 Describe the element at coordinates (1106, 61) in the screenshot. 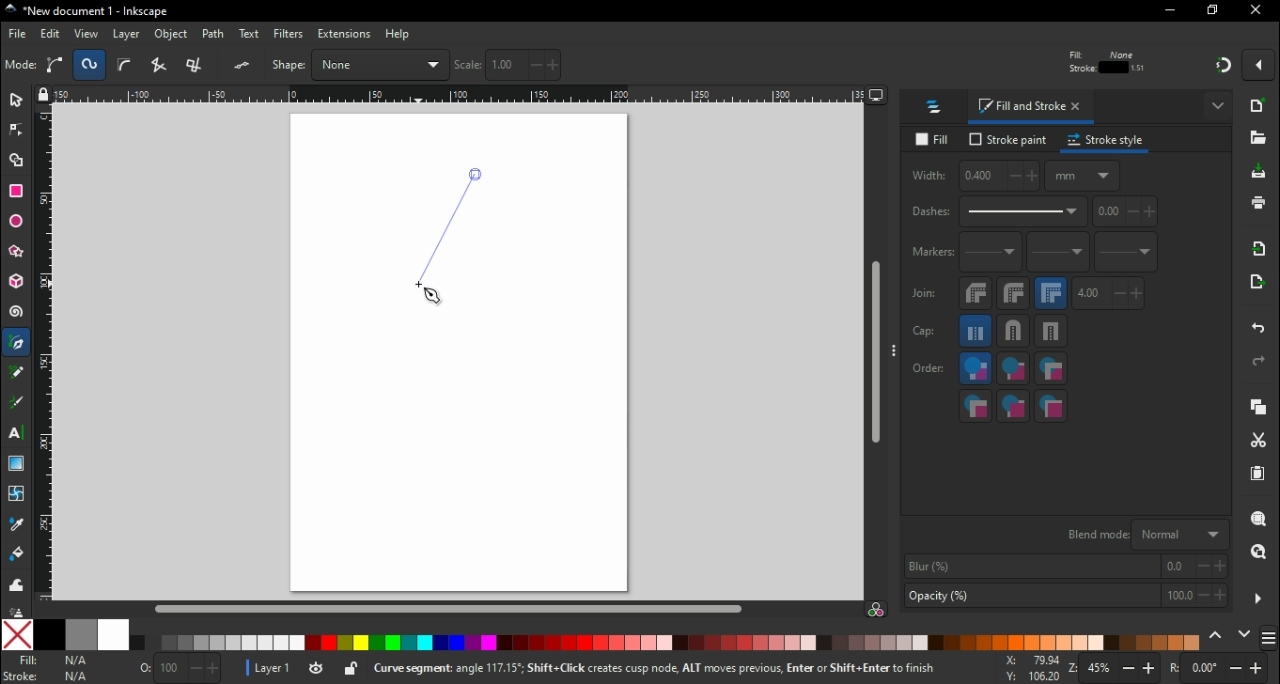

I see `stroke and fill details` at that location.